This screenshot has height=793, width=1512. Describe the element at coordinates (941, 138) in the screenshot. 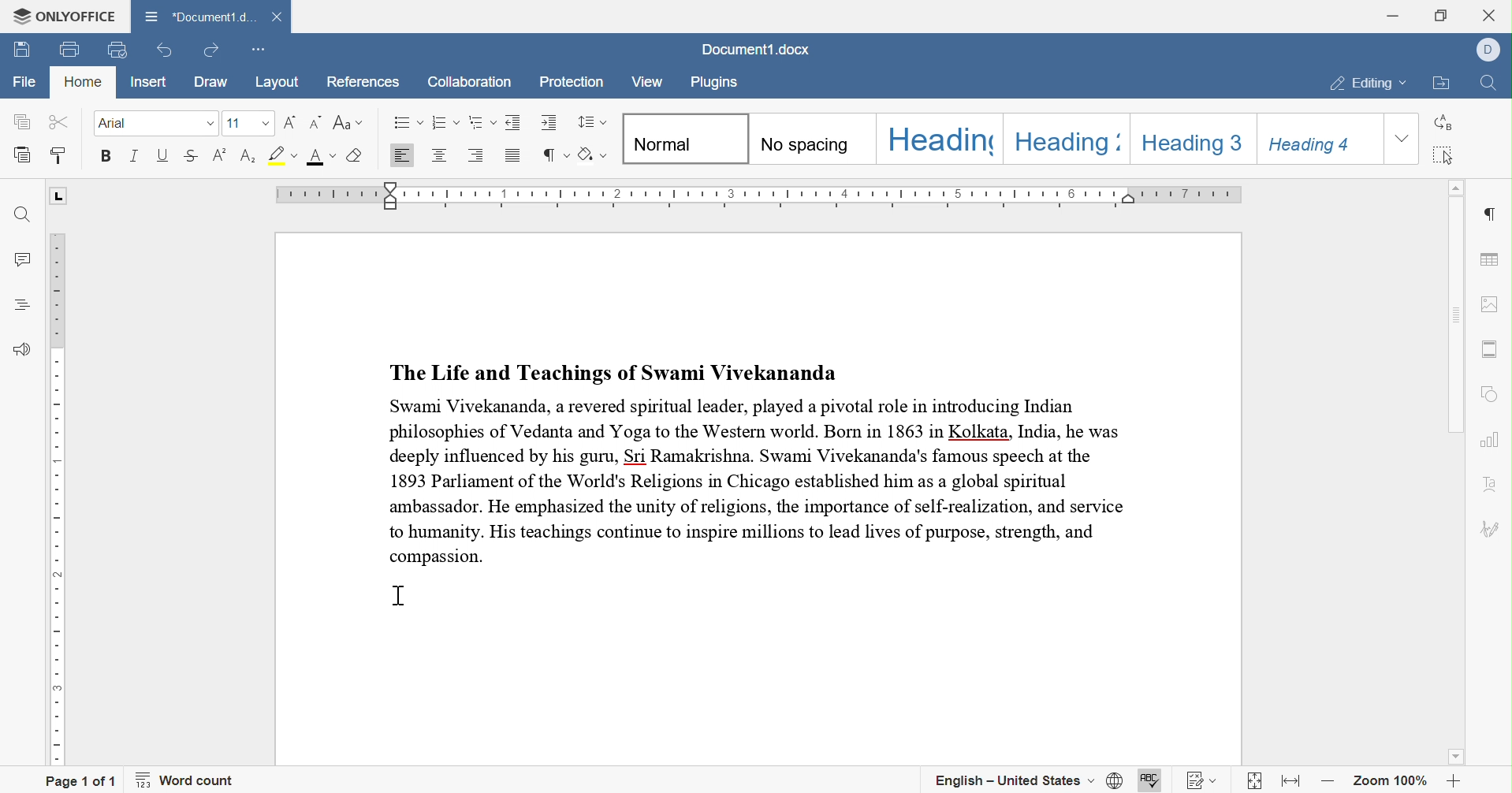

I see `heading ` at that location.